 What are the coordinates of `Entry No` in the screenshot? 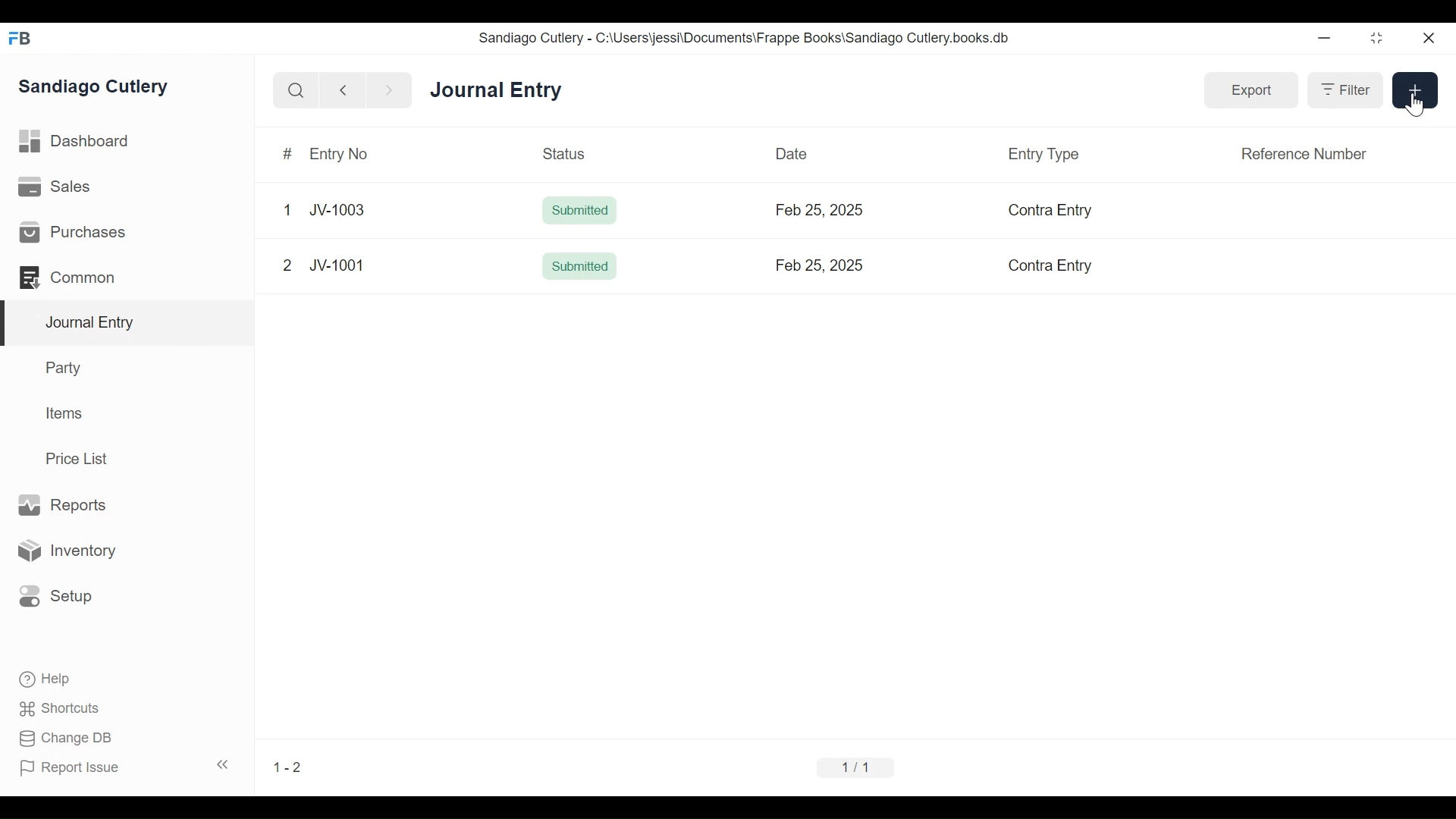 It's located at (342, 154).